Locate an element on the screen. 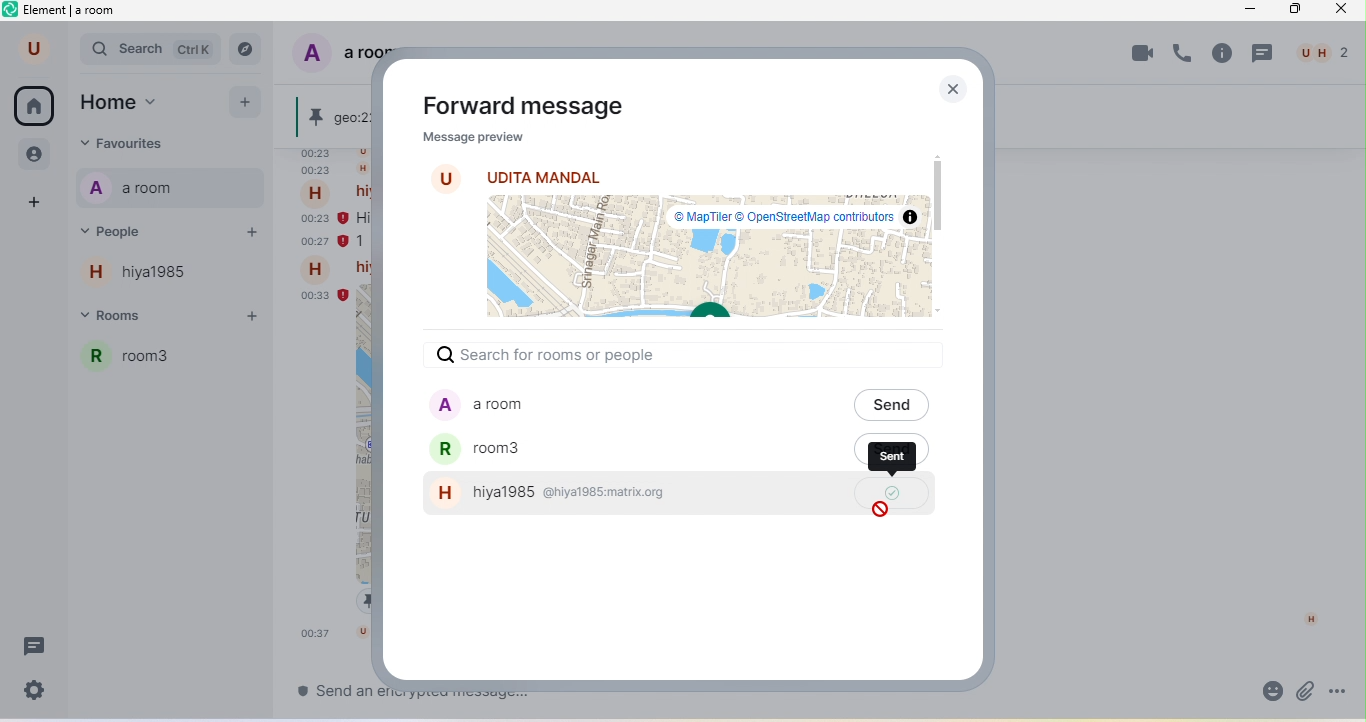  add room is located at coordinates (257, 317).